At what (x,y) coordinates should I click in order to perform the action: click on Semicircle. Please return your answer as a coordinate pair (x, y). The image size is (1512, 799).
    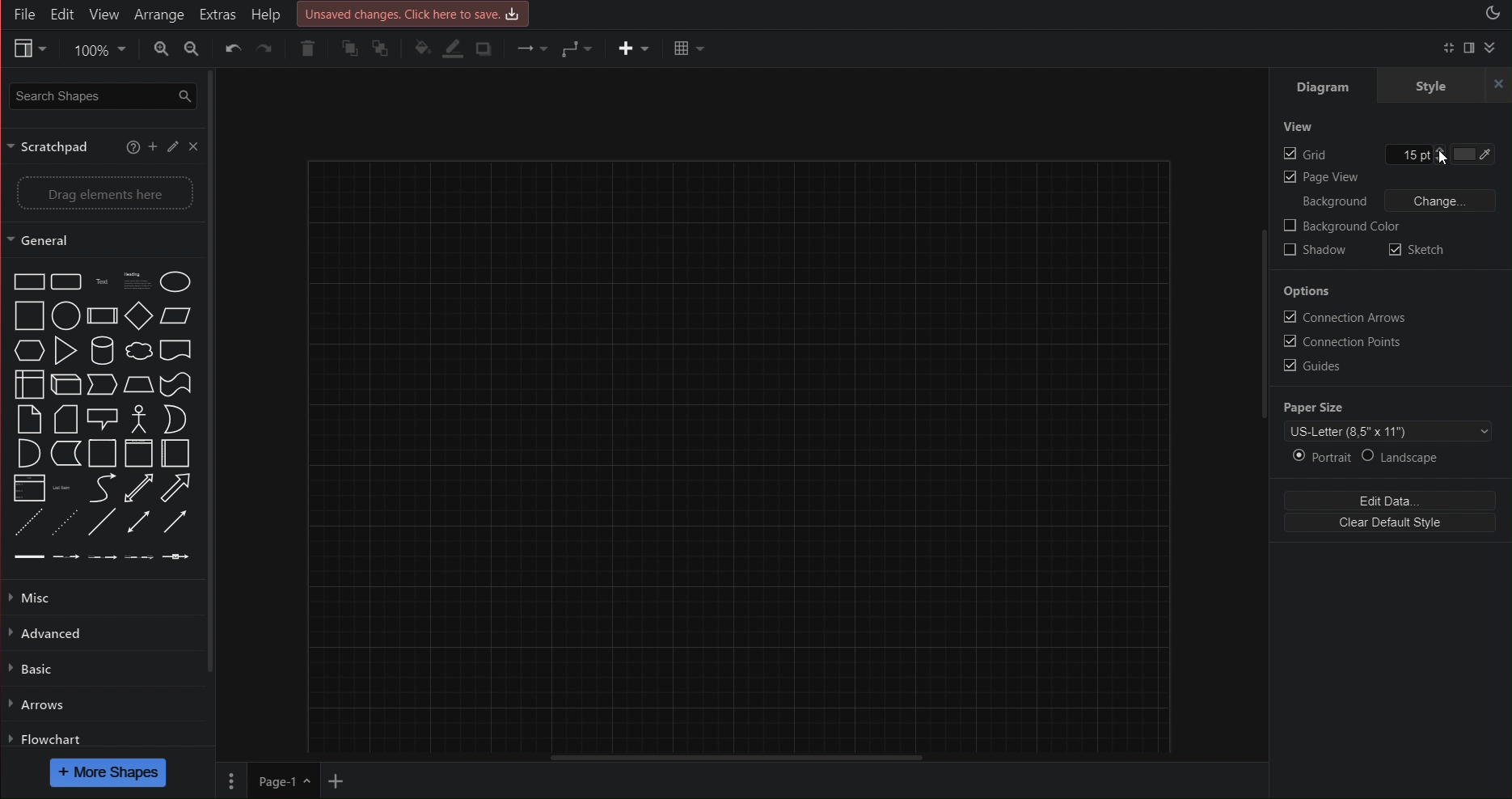
    Looking at the image, I should click on (20, 454).